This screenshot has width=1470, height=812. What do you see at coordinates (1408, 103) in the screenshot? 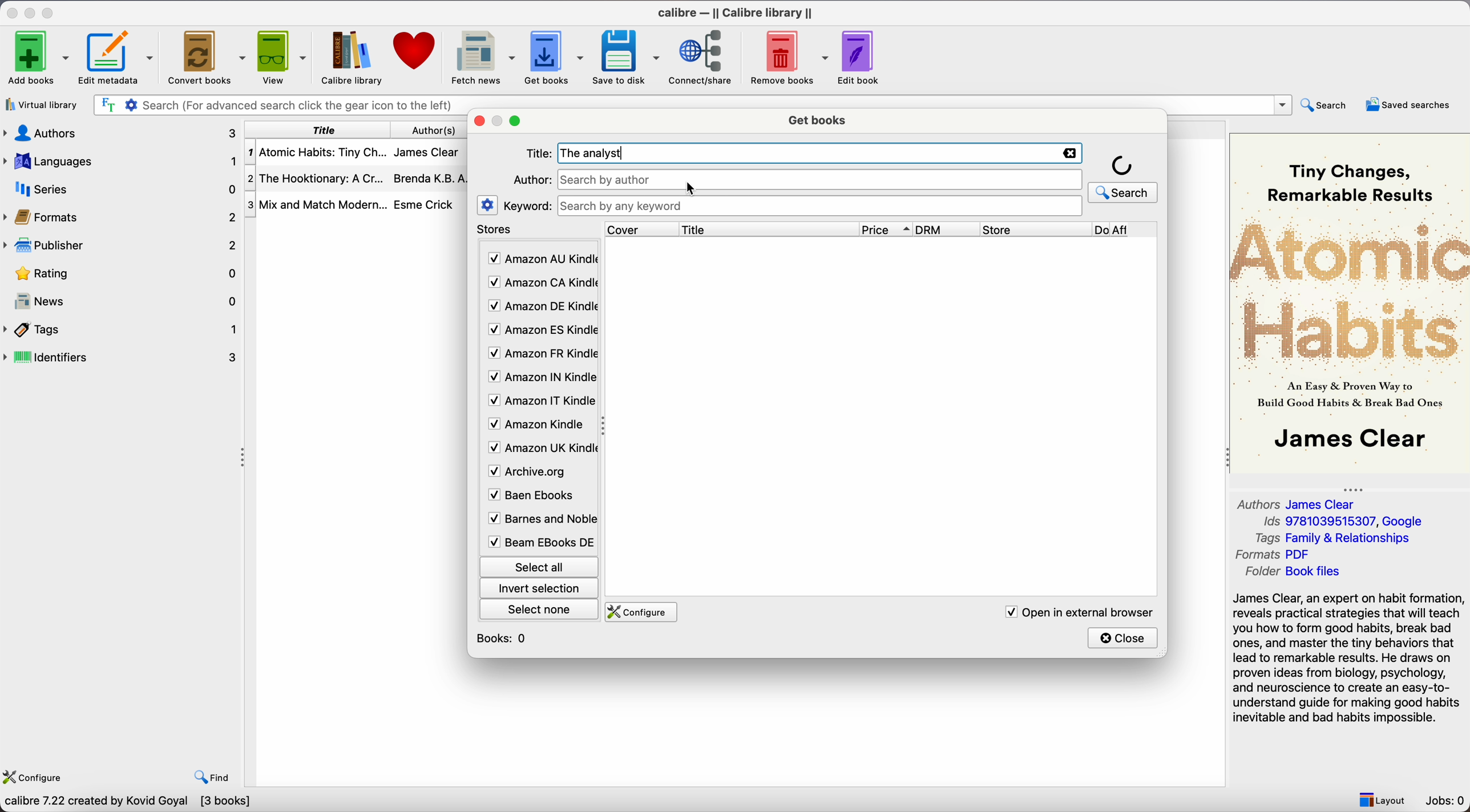
I see `saved searches` at bounding box center [1408, 103].